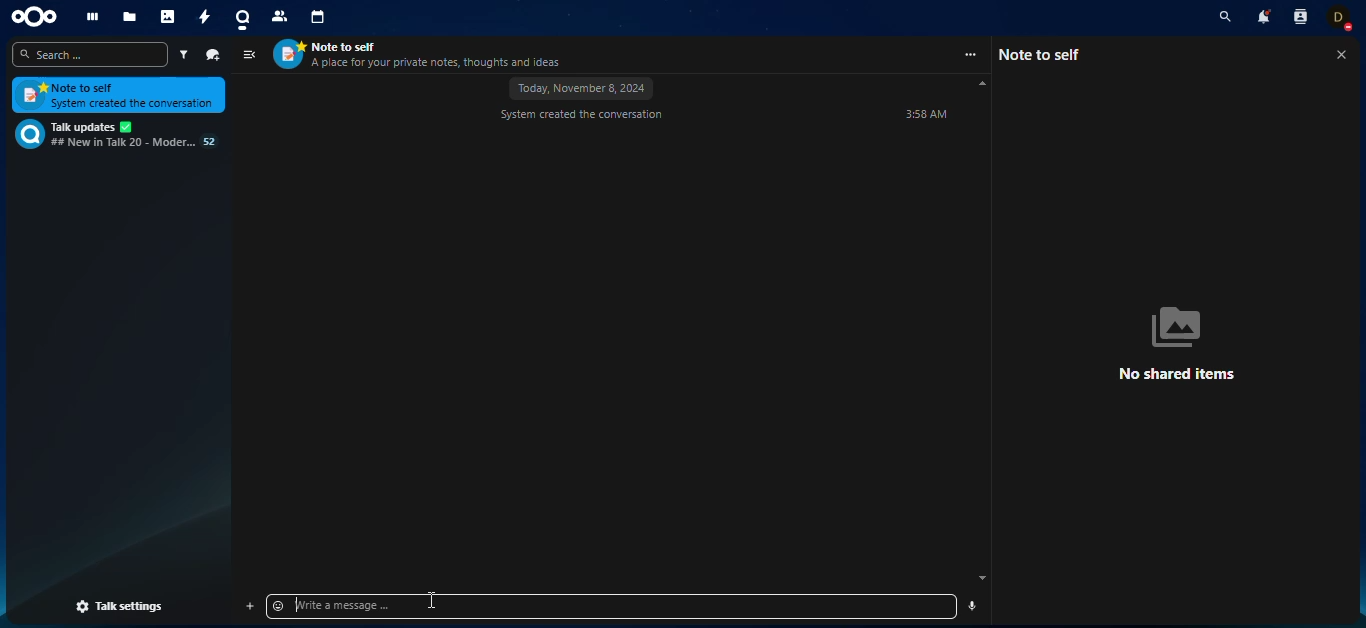 This screenshot has height=628, width=1366. I want to click on scroll up, so click(983, 84).